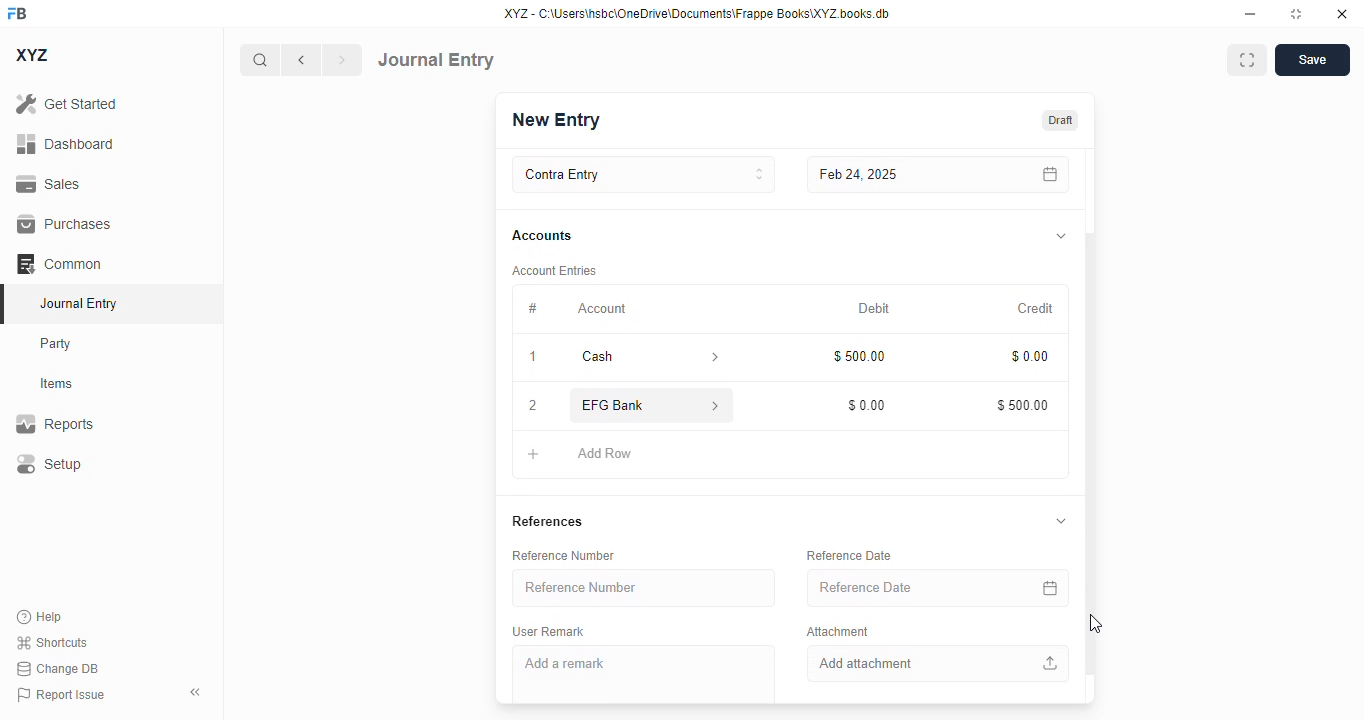 The height and width of the screenshot is (720, 1364). I want to click on dashboard, so click(65, 143).